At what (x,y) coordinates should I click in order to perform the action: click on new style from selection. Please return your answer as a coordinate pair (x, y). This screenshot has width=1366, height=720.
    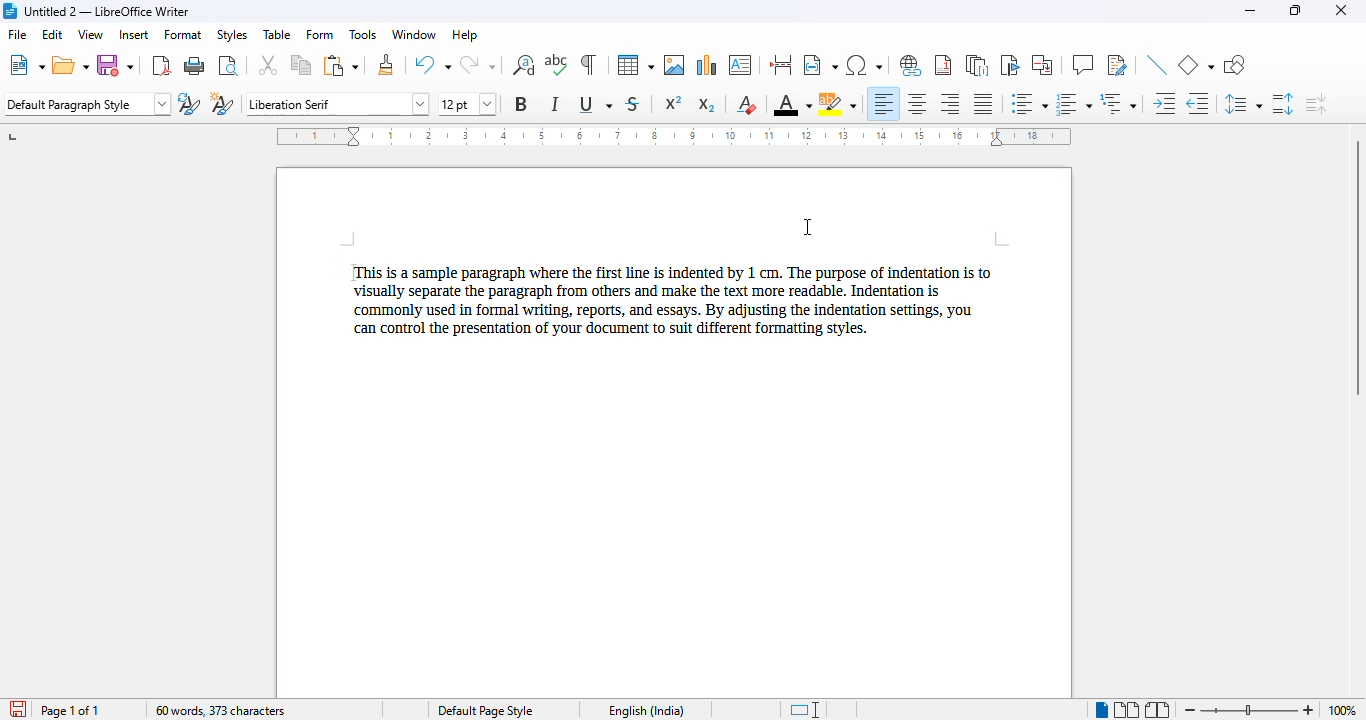
    Looking at the image, I should click on (222, 102).